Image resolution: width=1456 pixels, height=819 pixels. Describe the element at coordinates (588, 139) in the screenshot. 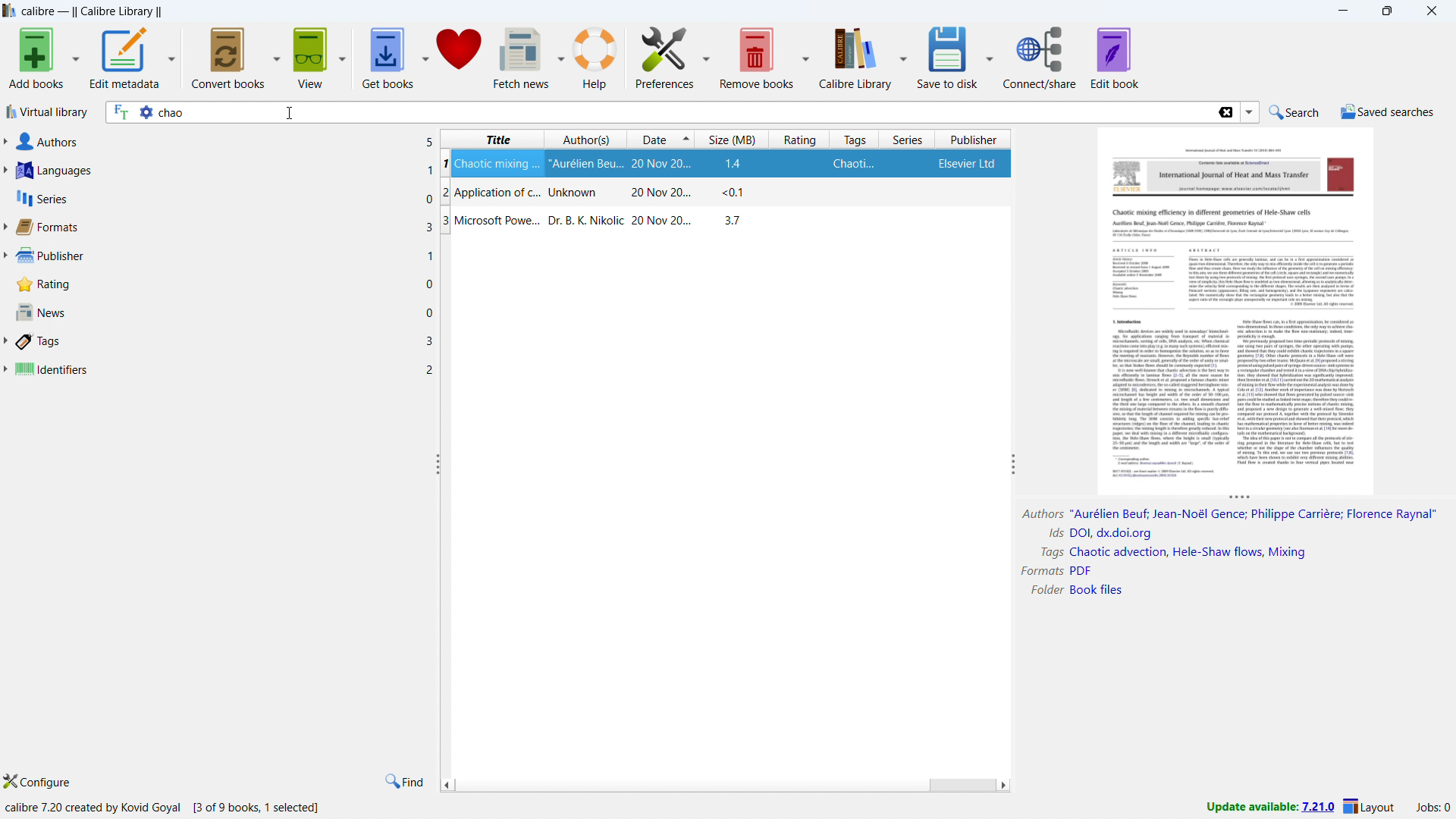

I see `sort by authors` at that location.